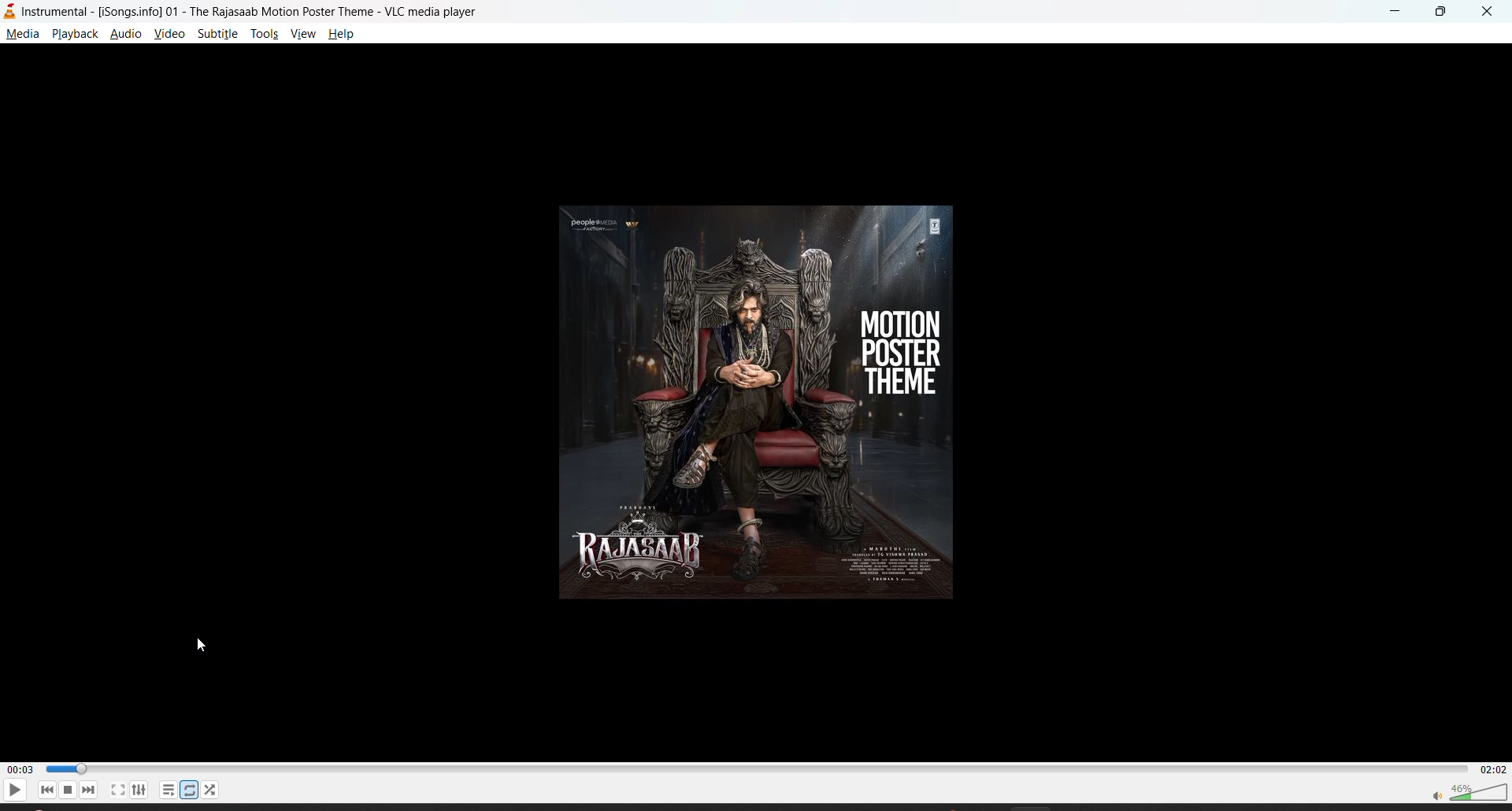  What do you see at coordinates (756, 404) in the screenshot?
I see `motion poster theme thumbnail` at bounding box center [756, 404].